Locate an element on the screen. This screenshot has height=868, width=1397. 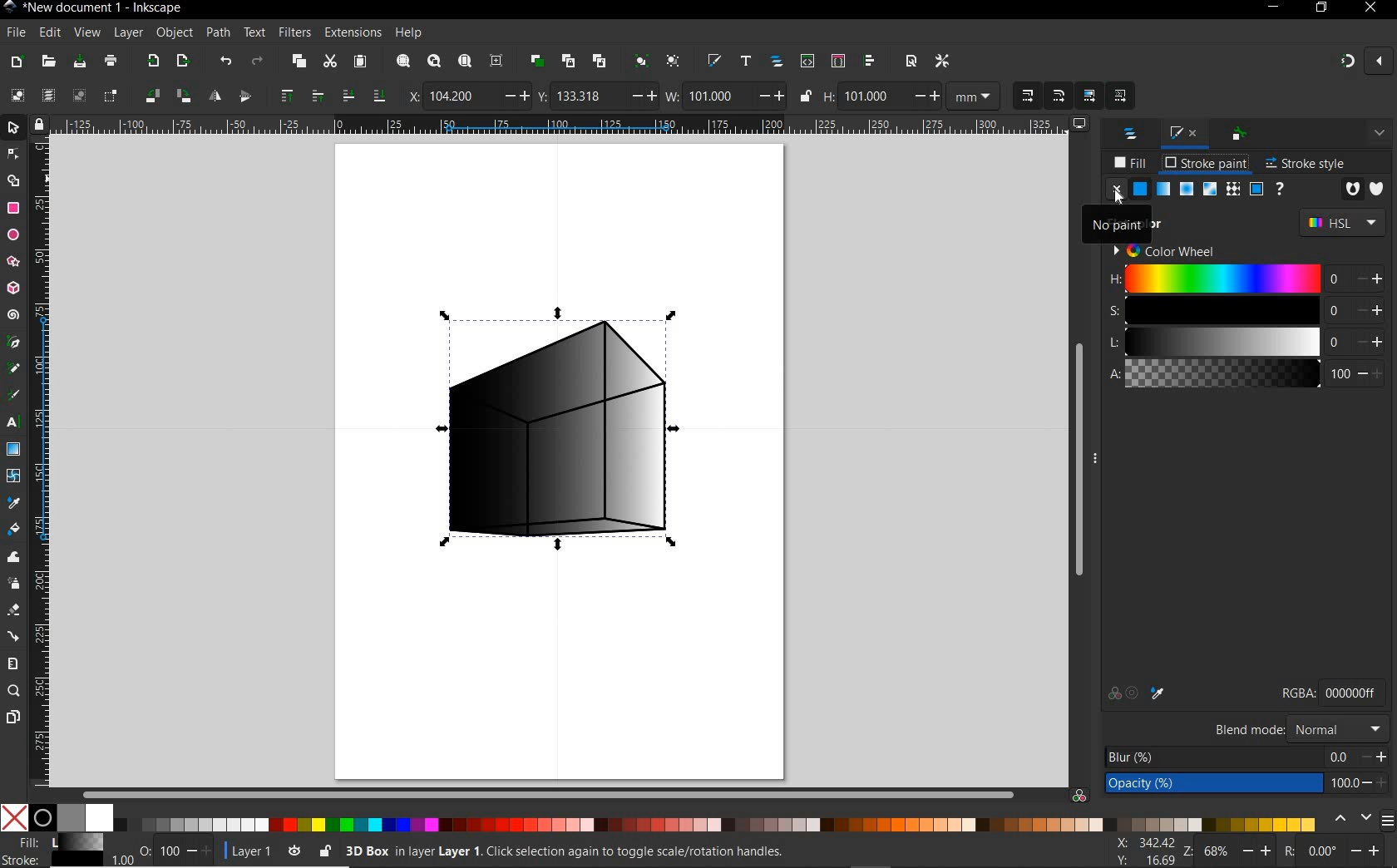
H is located at coordinates (1223, 279).